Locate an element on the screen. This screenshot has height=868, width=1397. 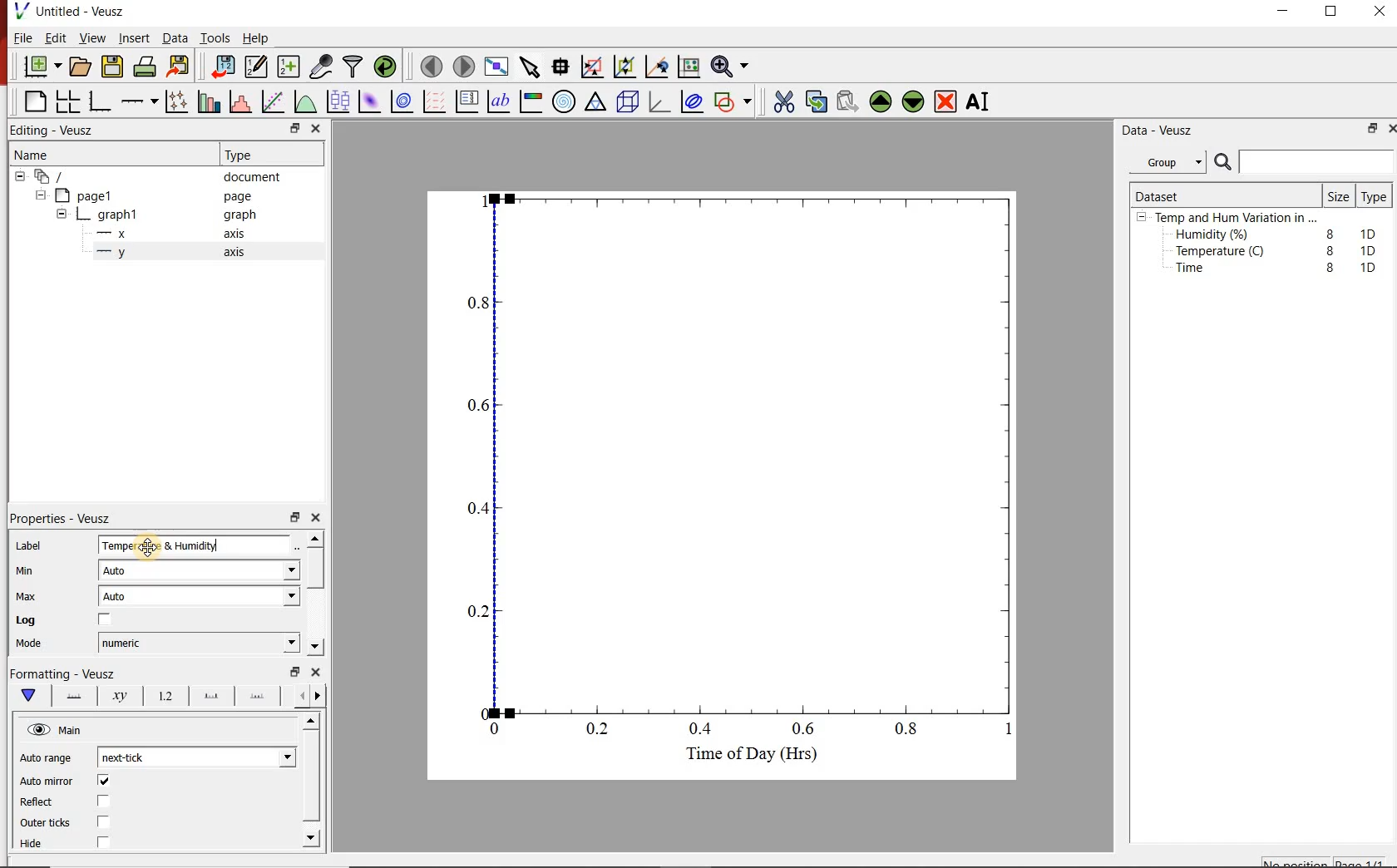
move to the previous page is located at coordinates (430, 67).